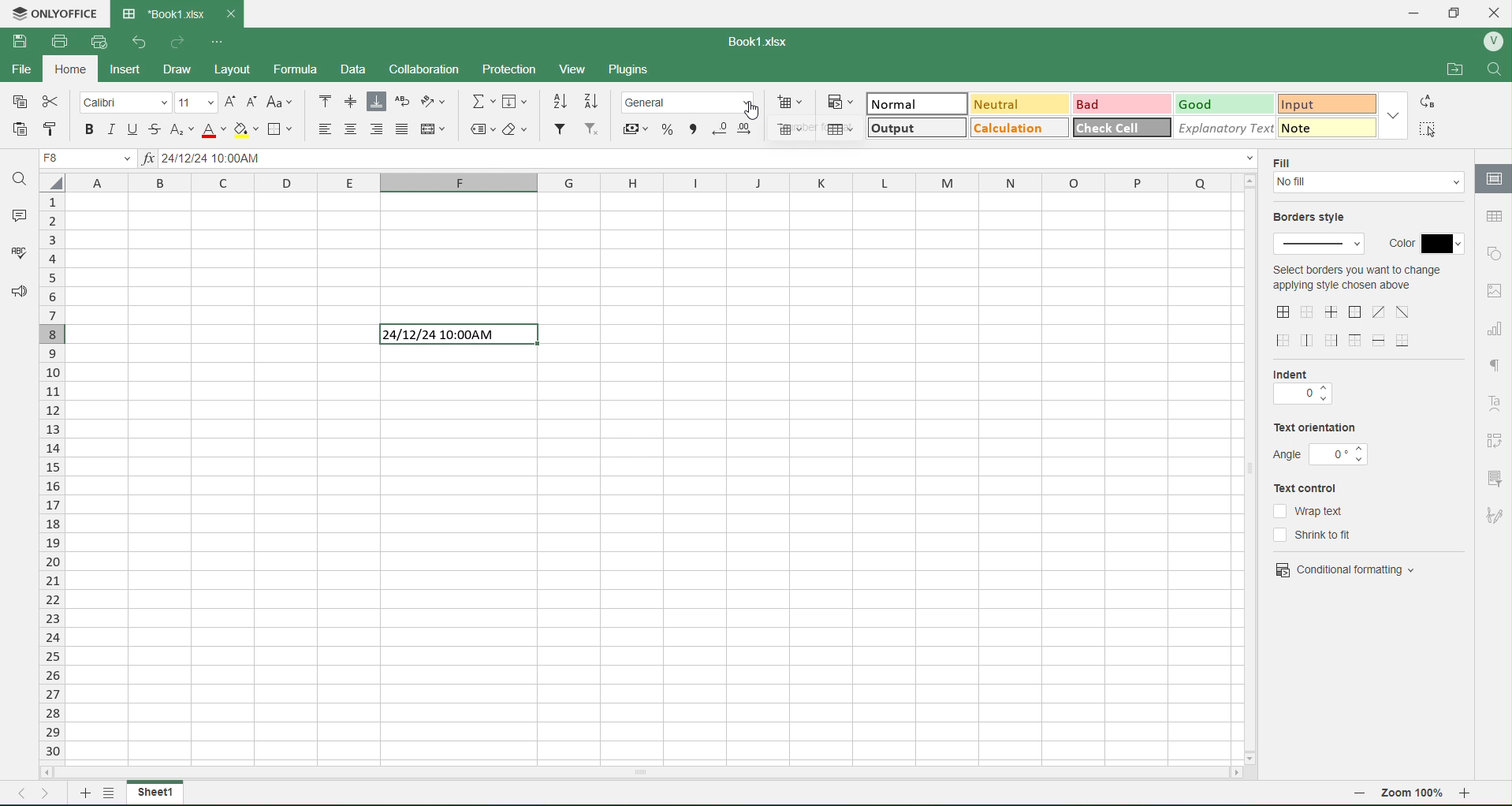 This screenshot has height=806, width=1512. I want to click on fill, so click(1370, 185).